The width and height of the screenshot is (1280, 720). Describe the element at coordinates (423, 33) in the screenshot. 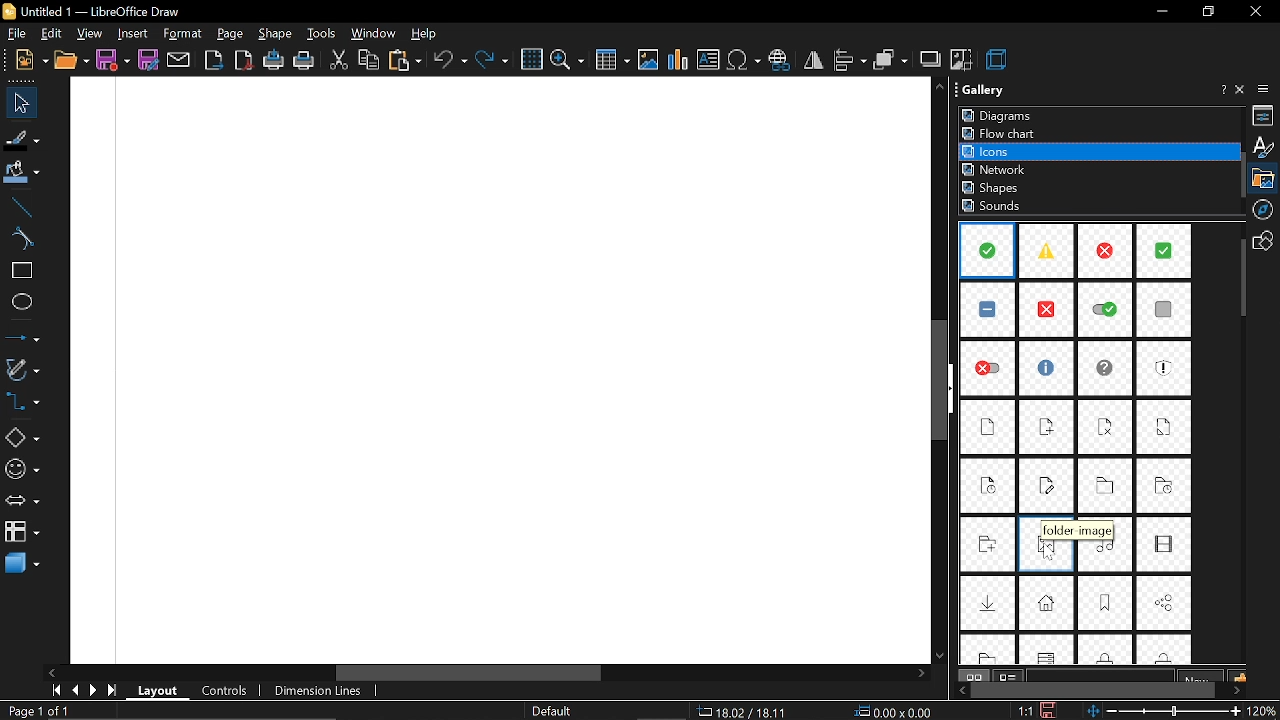

I see `help` at that location.